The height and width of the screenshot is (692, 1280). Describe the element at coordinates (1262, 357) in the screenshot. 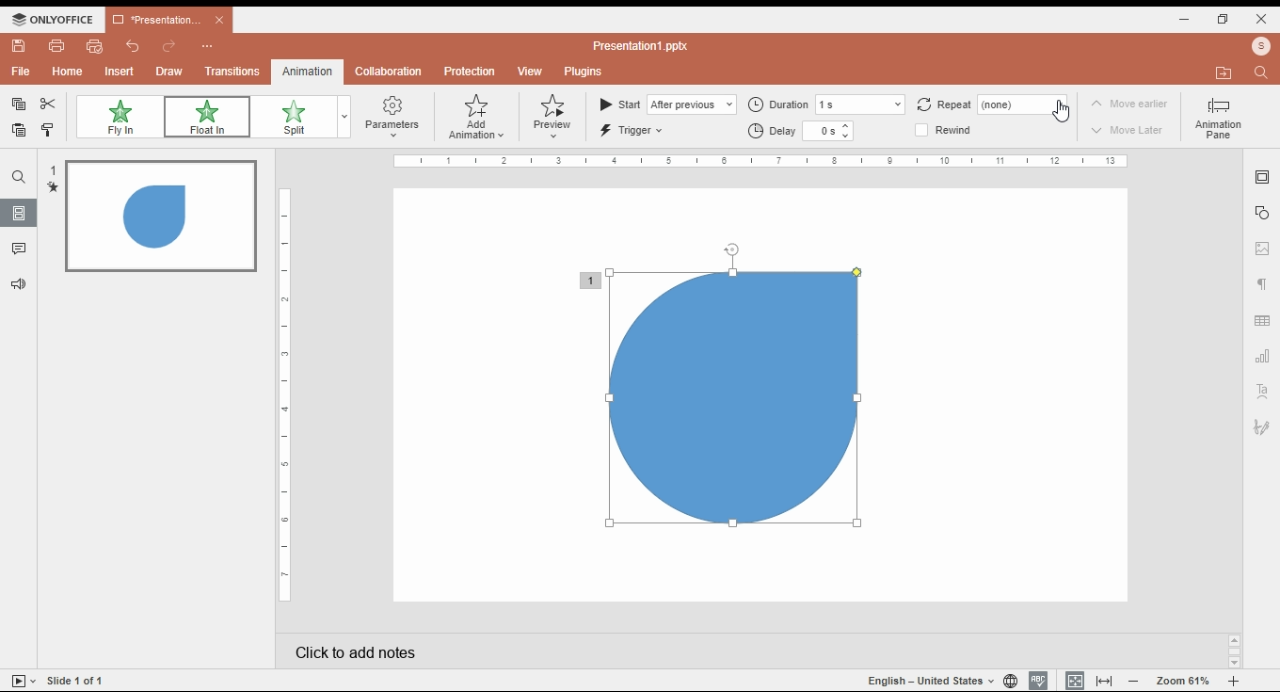

I see `chart settings` at that location.